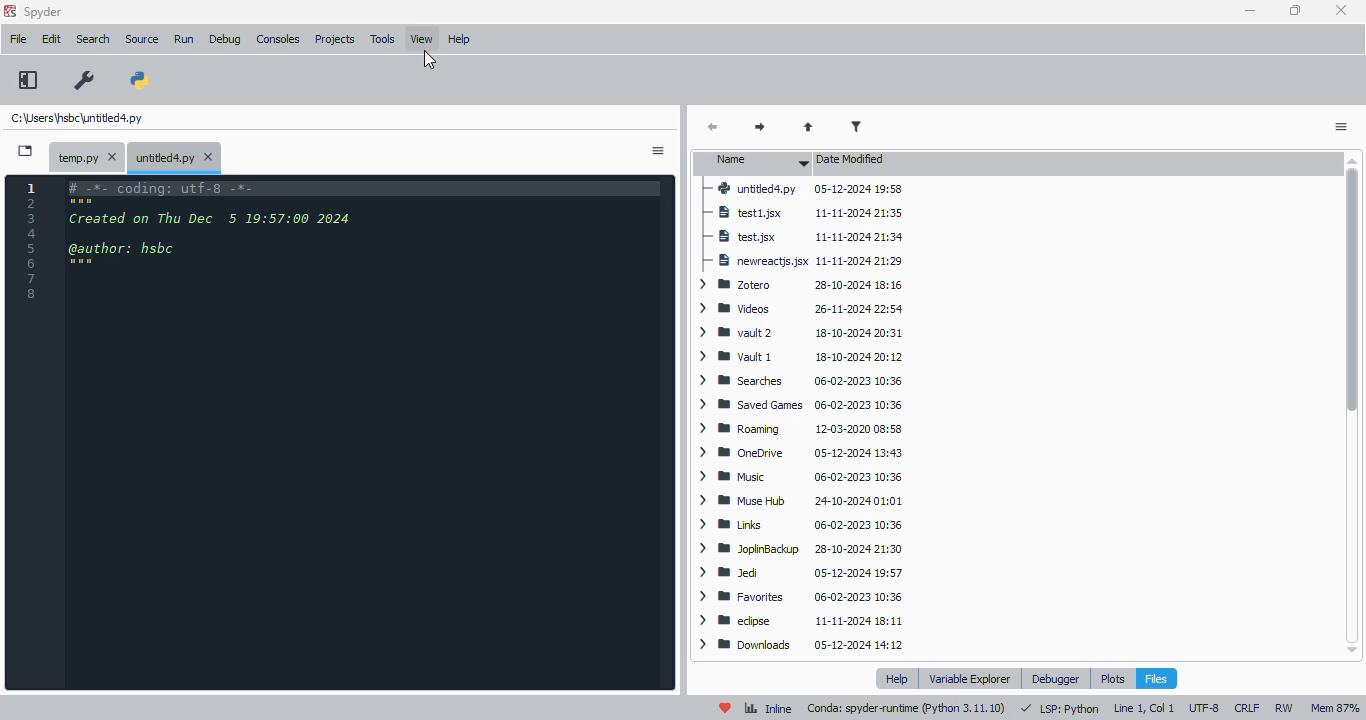 This screenshot has width=1366, height=720. What do you see at coordinates (801, 358) in the screenshot?
I see `vault 1` at bounding box center [801, 358].